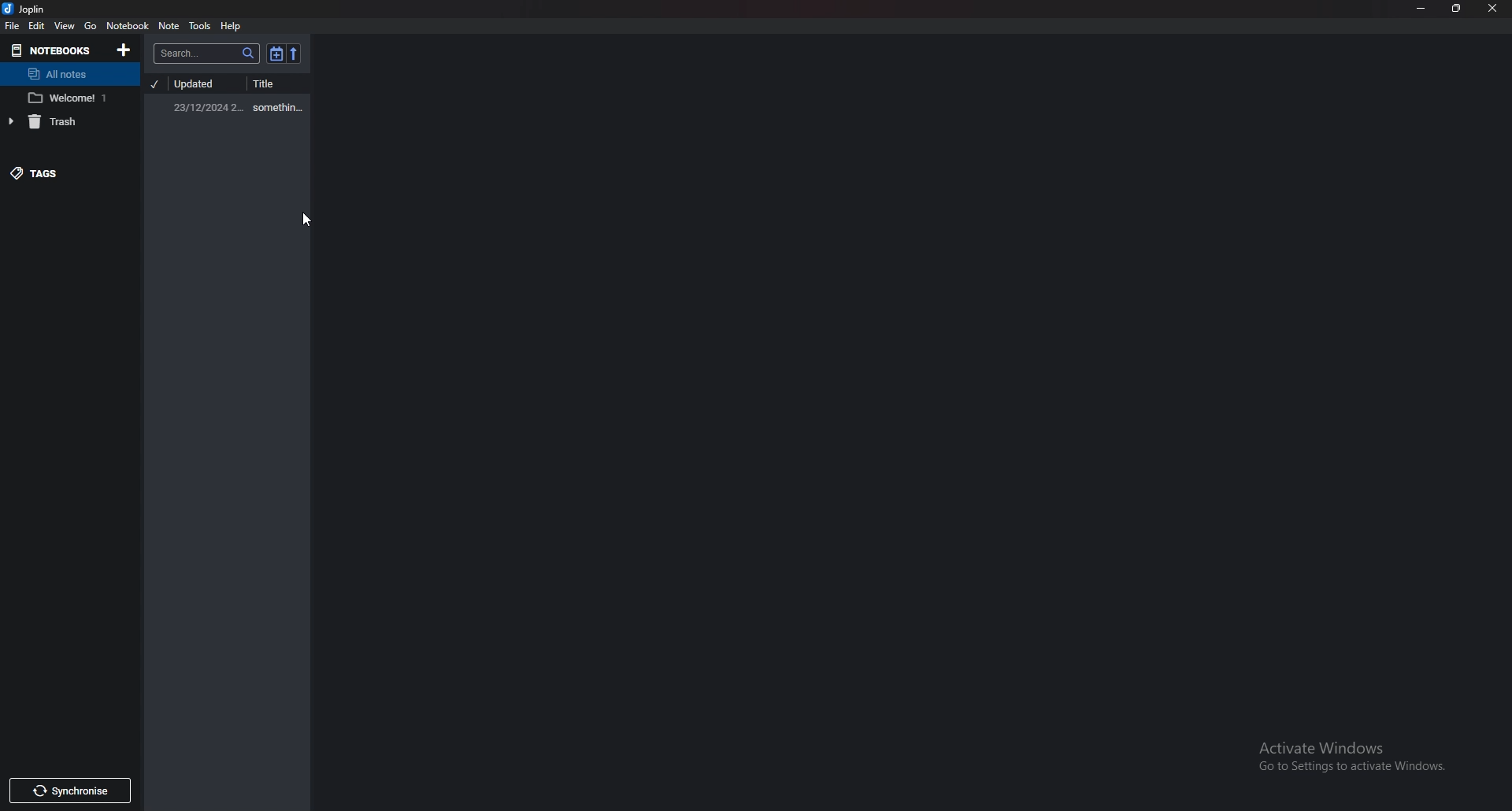  What do you see at coordinates (282, 107) in the screenshot?
I see `Note name` at bounding box center [282, 107].